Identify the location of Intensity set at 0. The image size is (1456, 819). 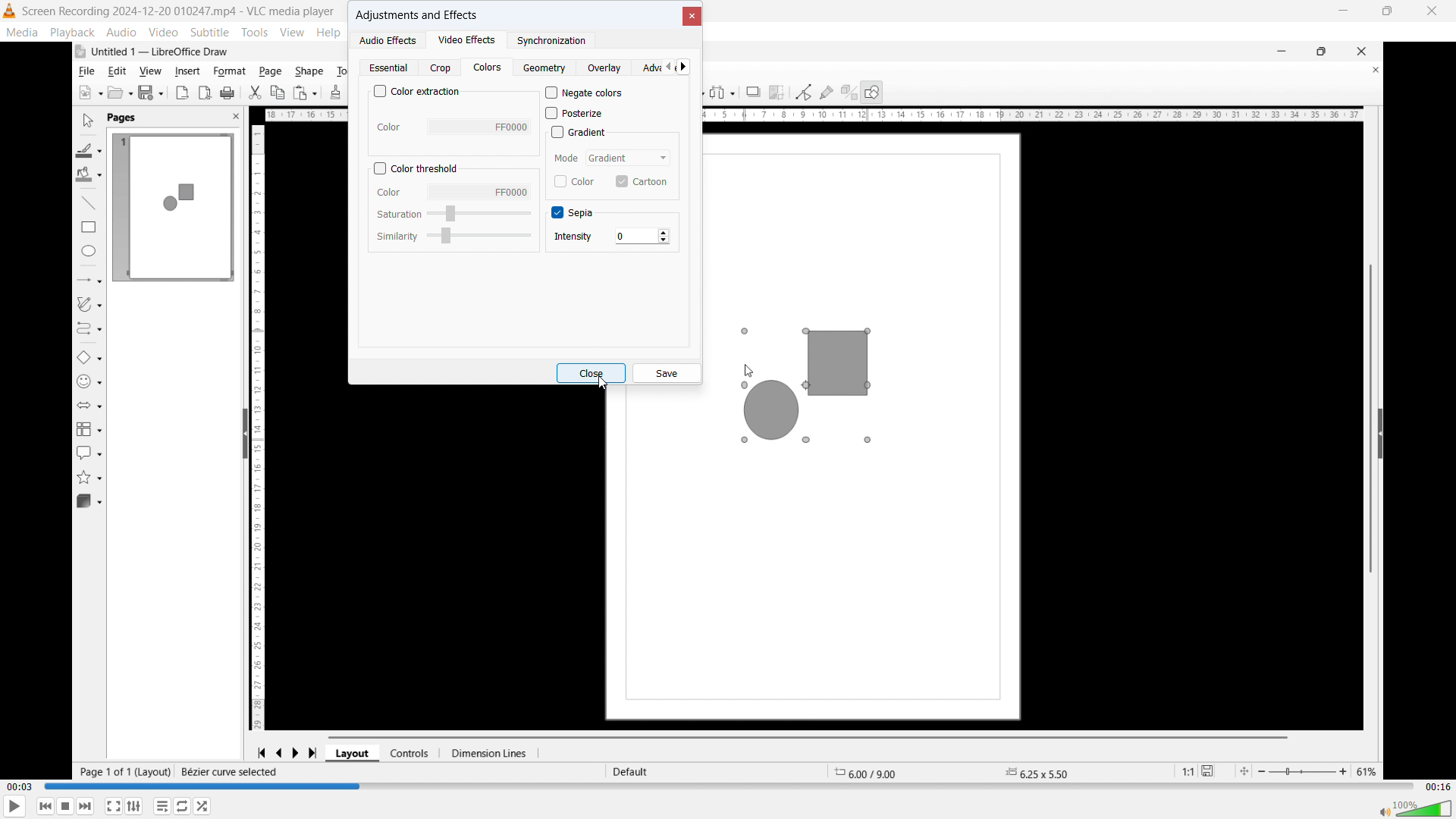
(643, 236).